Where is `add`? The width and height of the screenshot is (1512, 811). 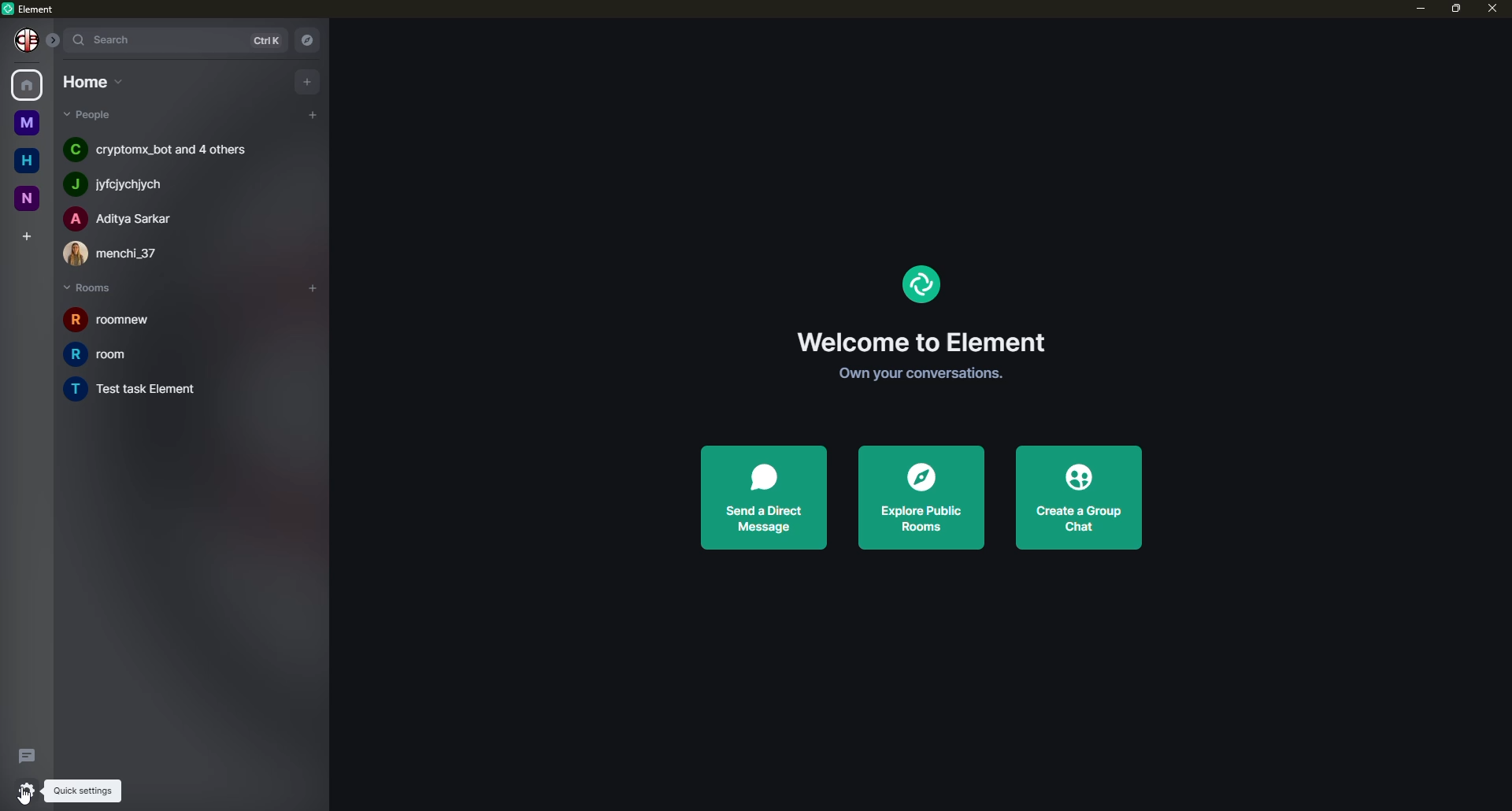 add is located at coordinates (312, 116).